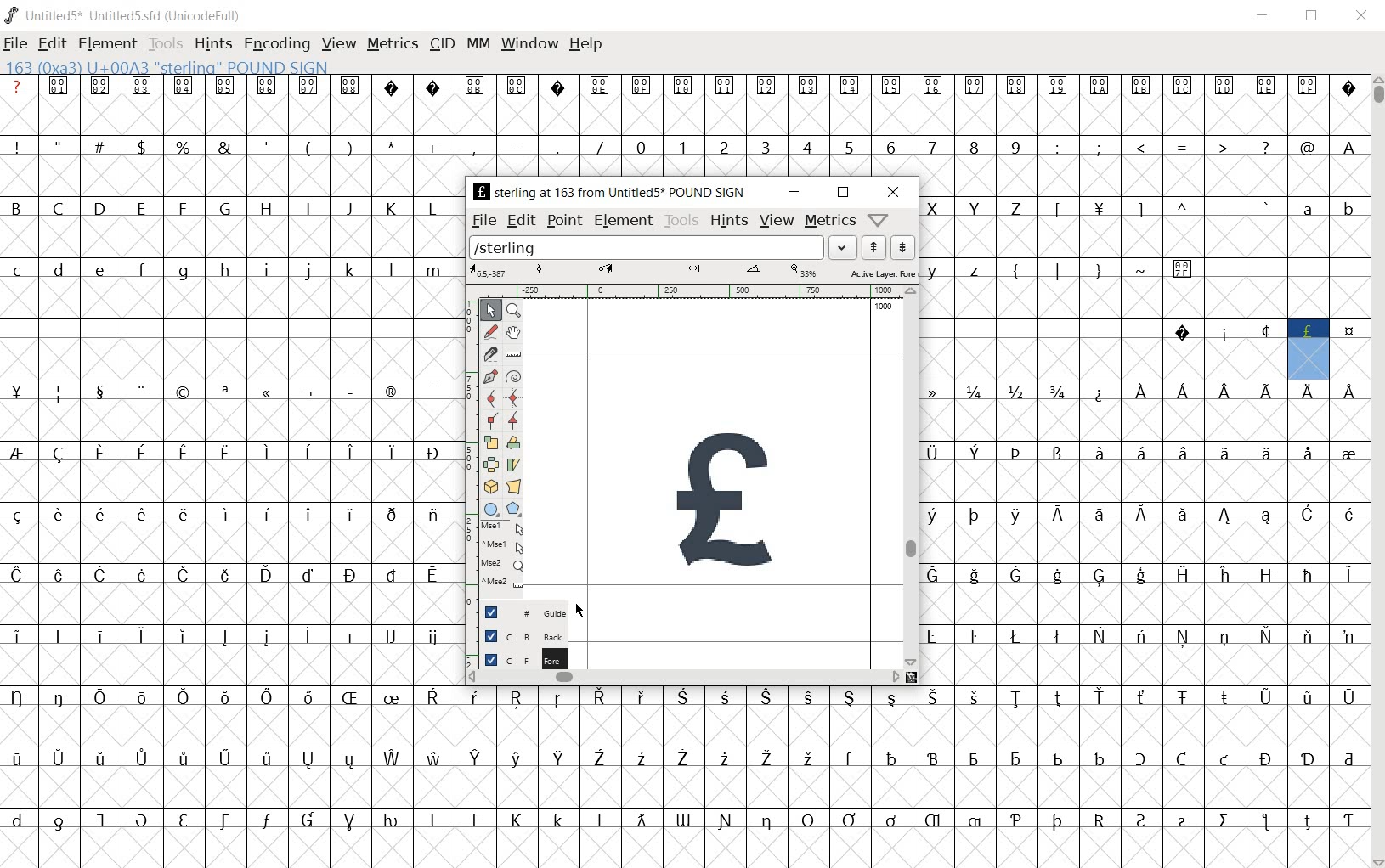 This screenshot has width=1385, height=868. Describe the element at coordinates (940, 391) in the screenshot. I see `Symbol` at that location.